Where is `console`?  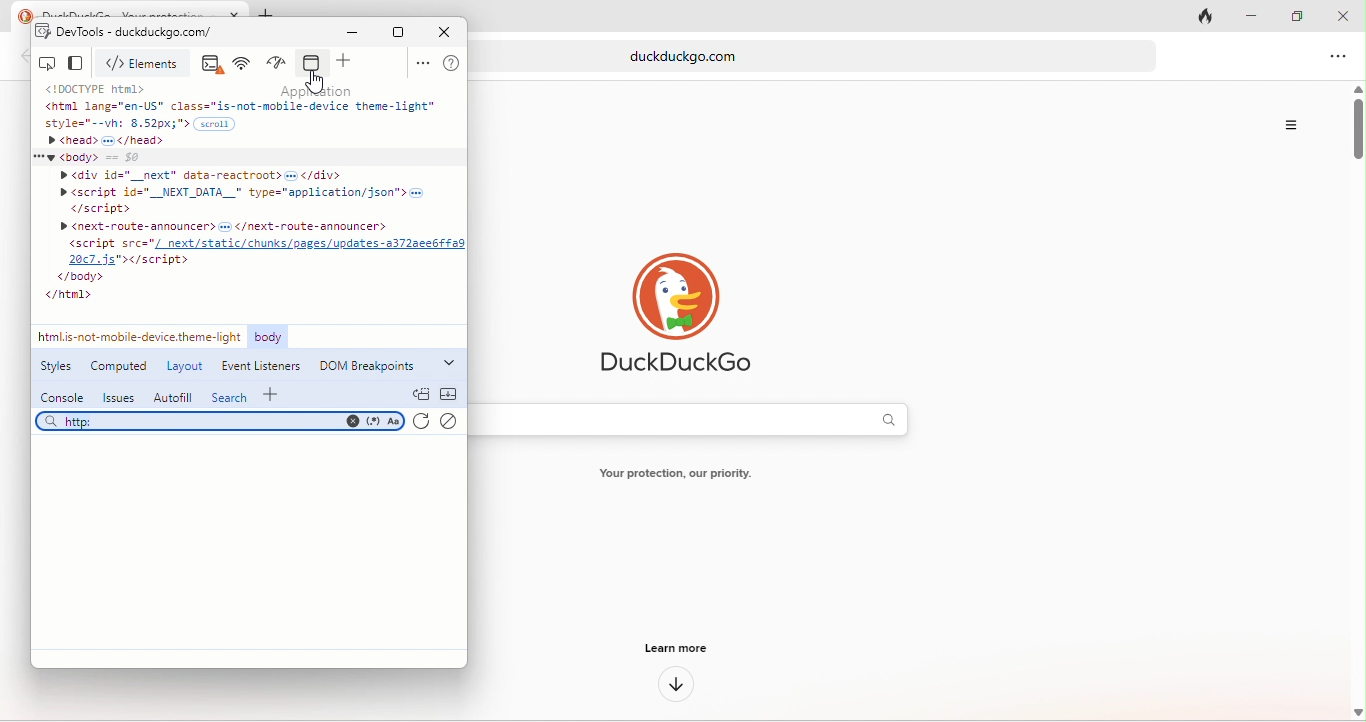
console is located at coordinates (60, 399).